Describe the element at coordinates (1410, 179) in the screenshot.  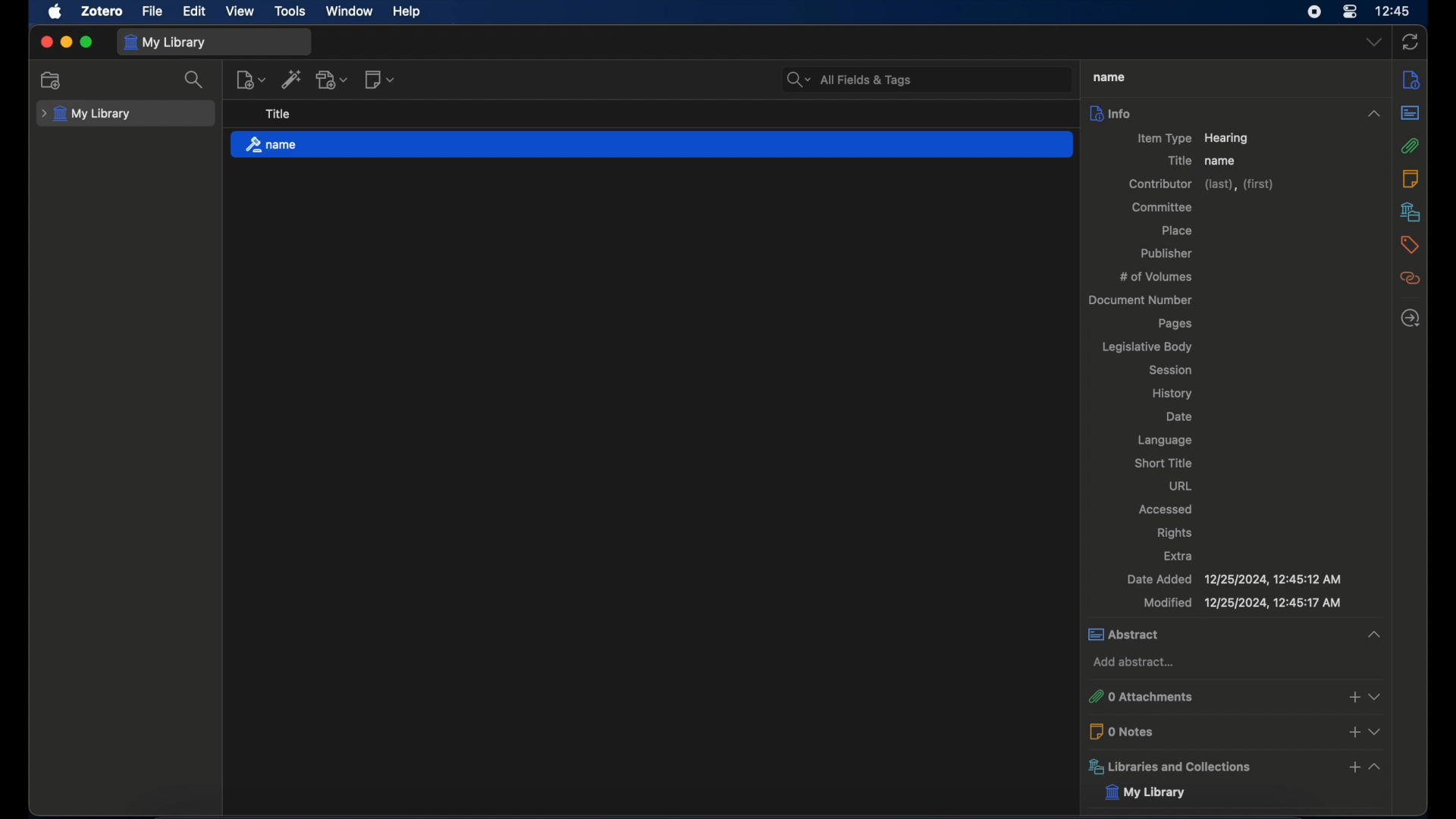
I see `notes` at that location.